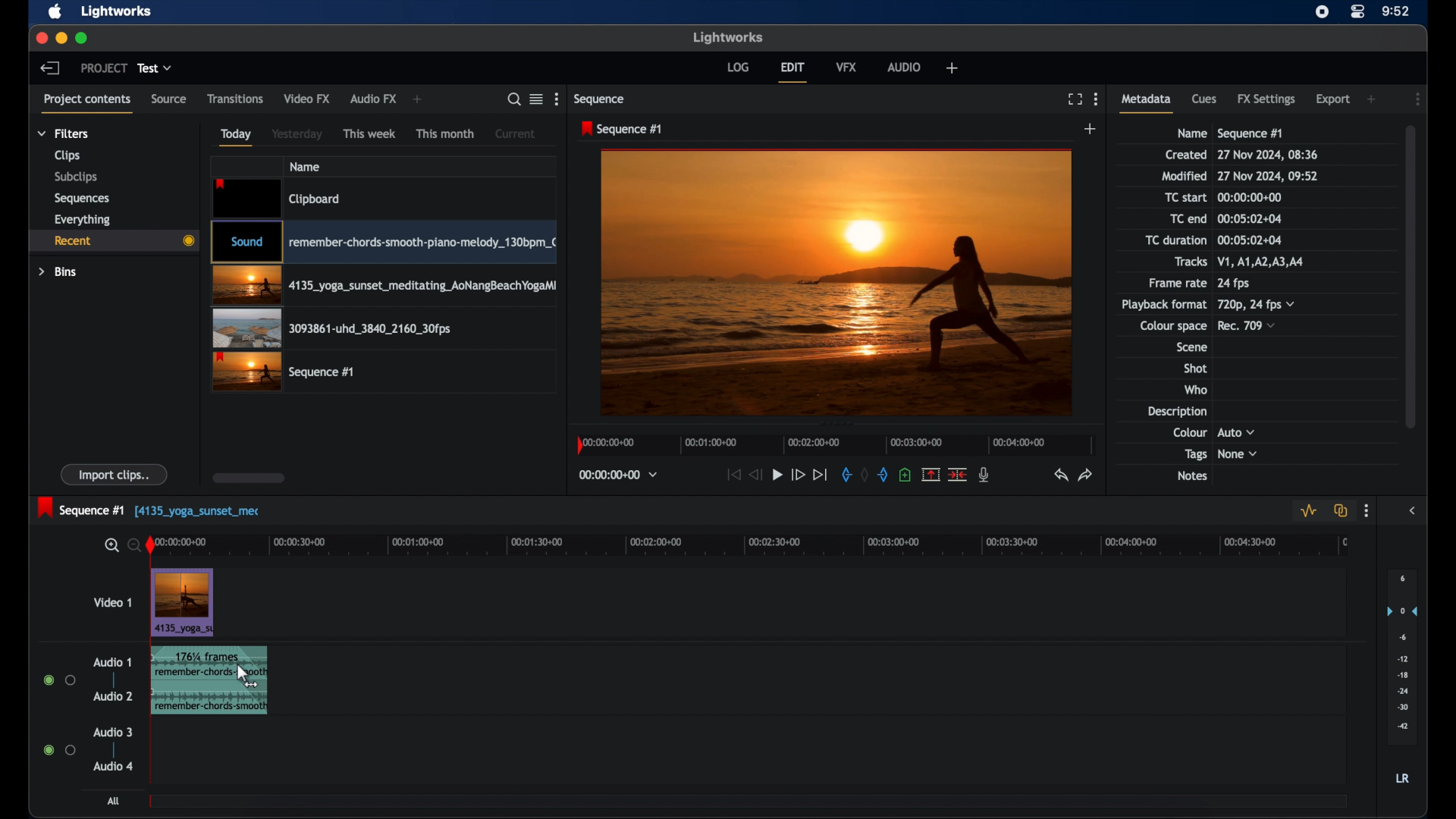  I want to click on tc end, so click(1250, 218).